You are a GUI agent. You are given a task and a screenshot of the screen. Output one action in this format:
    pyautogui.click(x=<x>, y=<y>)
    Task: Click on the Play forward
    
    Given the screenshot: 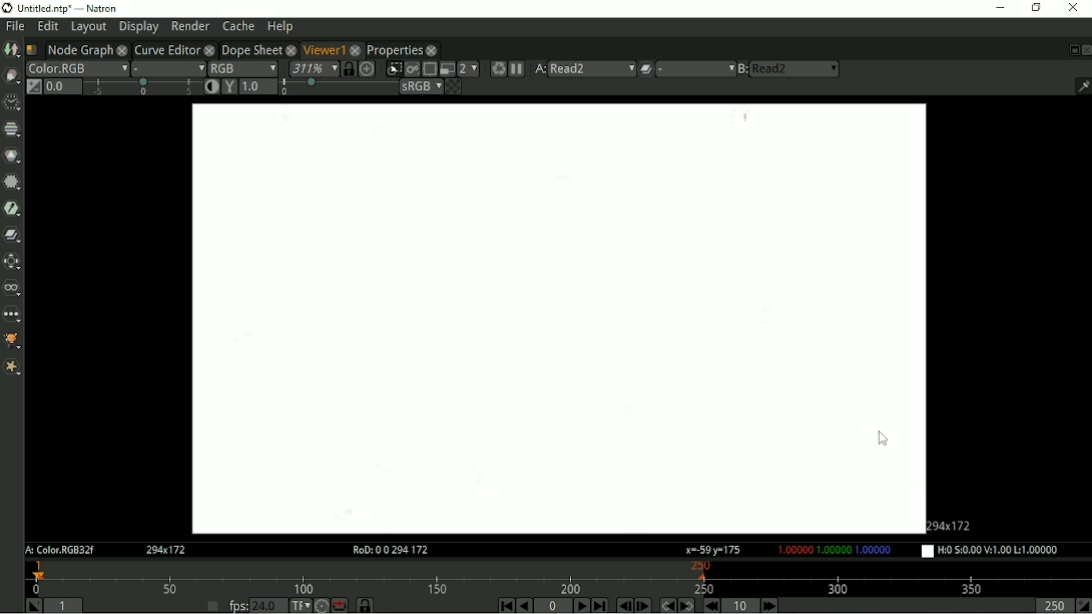 What is the action you would take?
    pyautogui.click(x=580, y=605)
    